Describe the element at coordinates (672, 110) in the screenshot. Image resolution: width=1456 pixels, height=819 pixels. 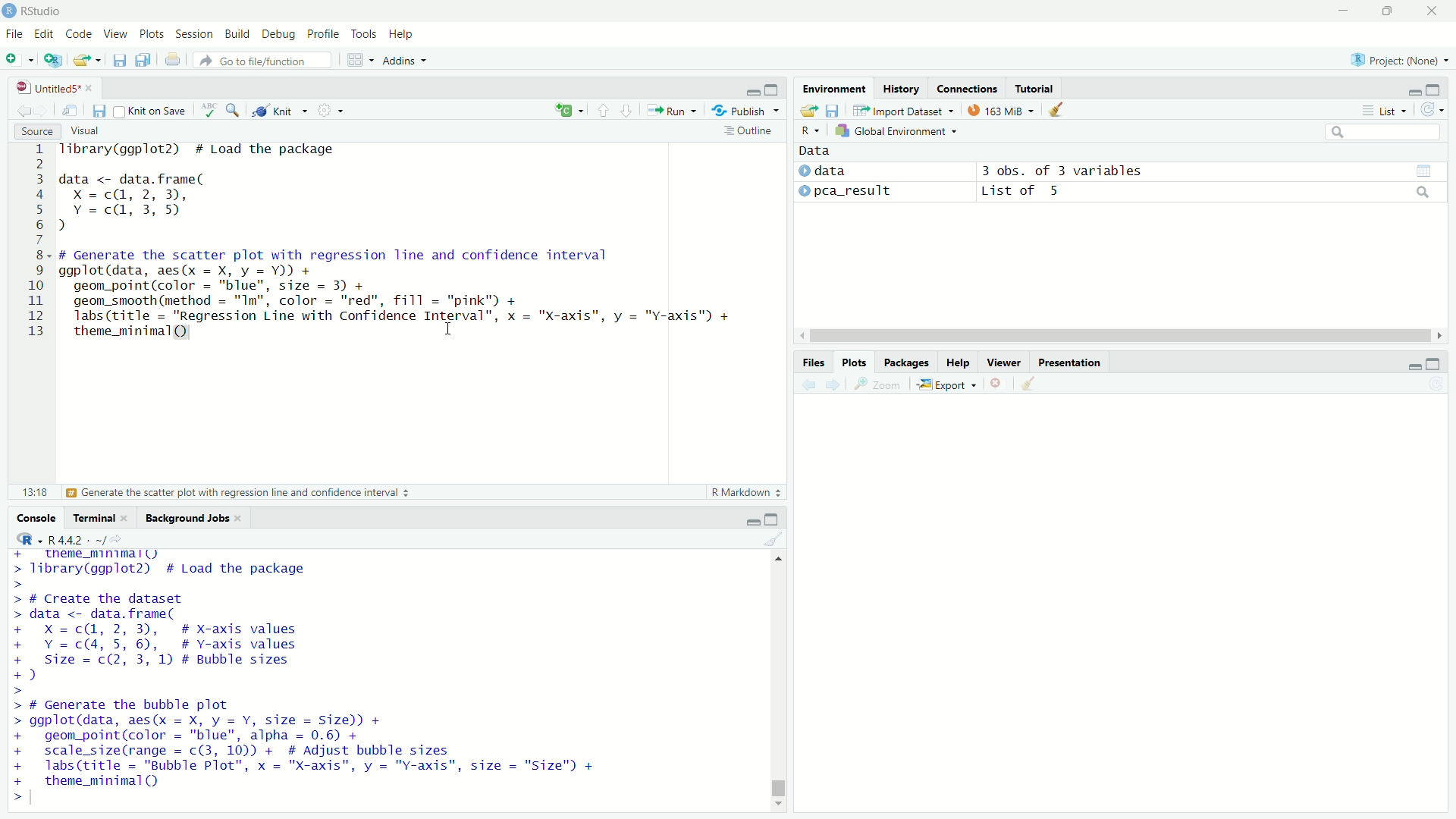
I see `Run` at that location.